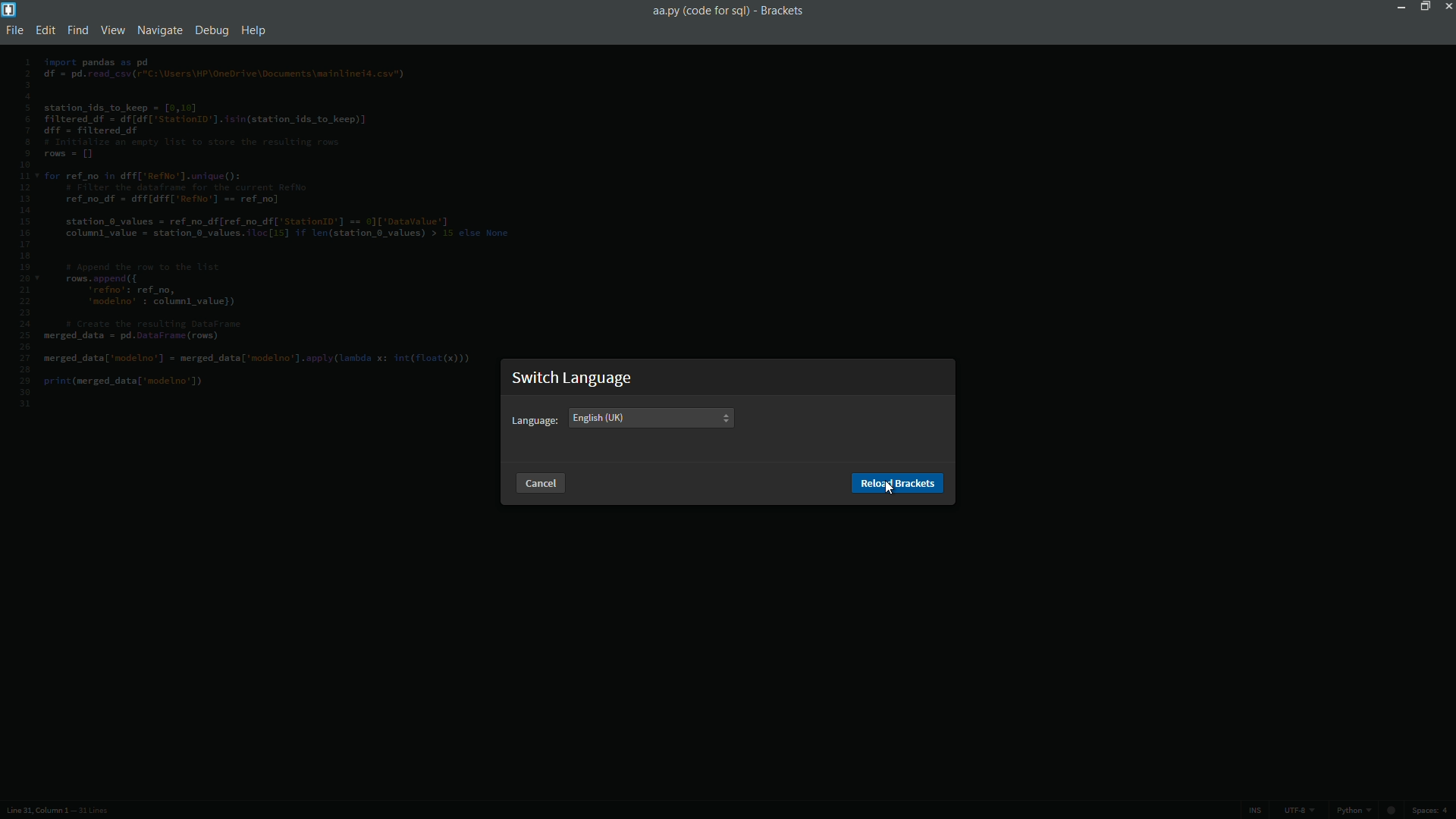 The height and width of the screenshot is (819, 1456). Describe the element at coordinates (1447, 6) in the screenshot. I see `close app` at that location.